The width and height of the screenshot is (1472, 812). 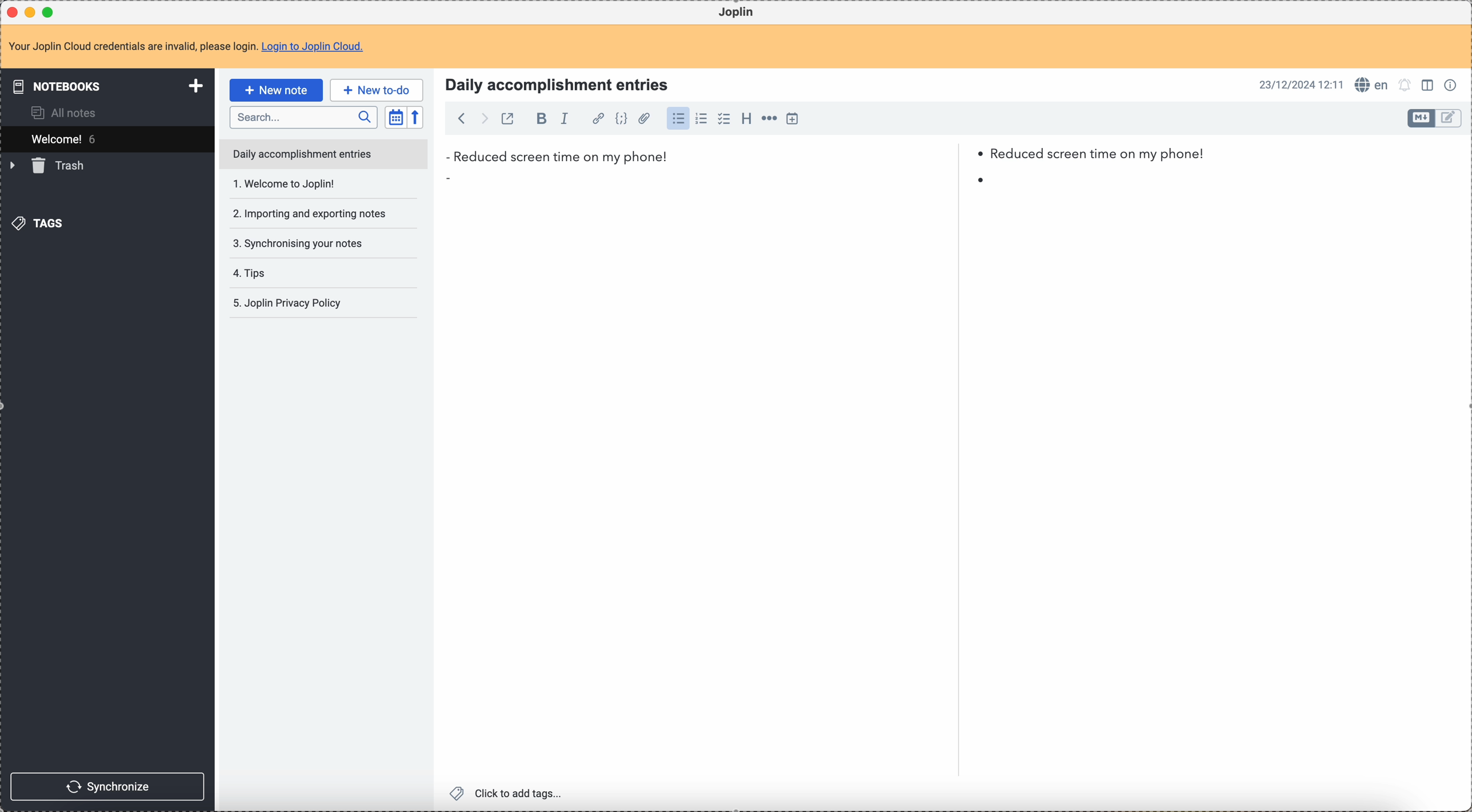 What do you see at coordinates (570, 119) in the screenshot?
I see `italic` at bounding box center [570, 119].